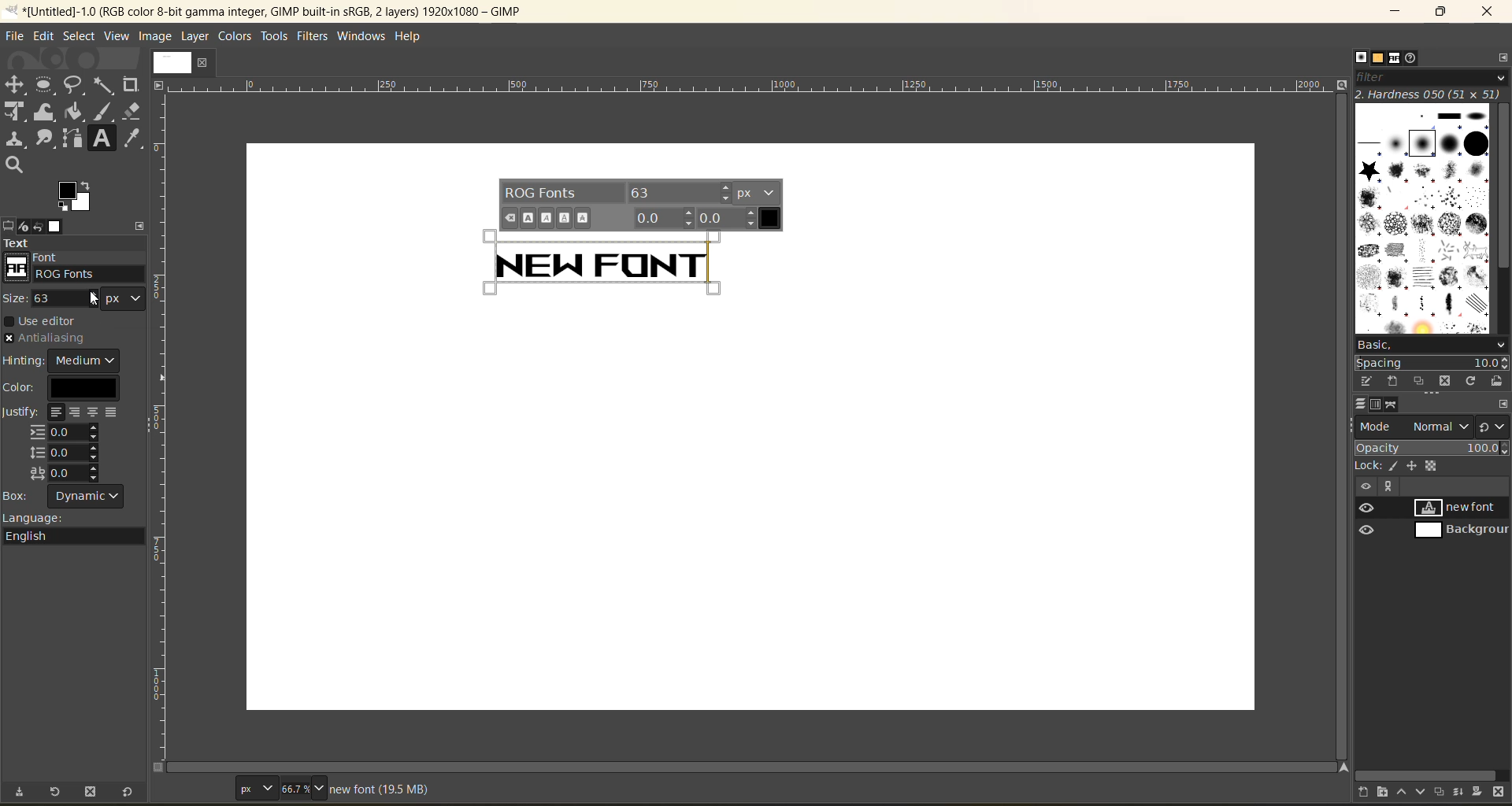  I want to click on maximize, so click(1440, 14).